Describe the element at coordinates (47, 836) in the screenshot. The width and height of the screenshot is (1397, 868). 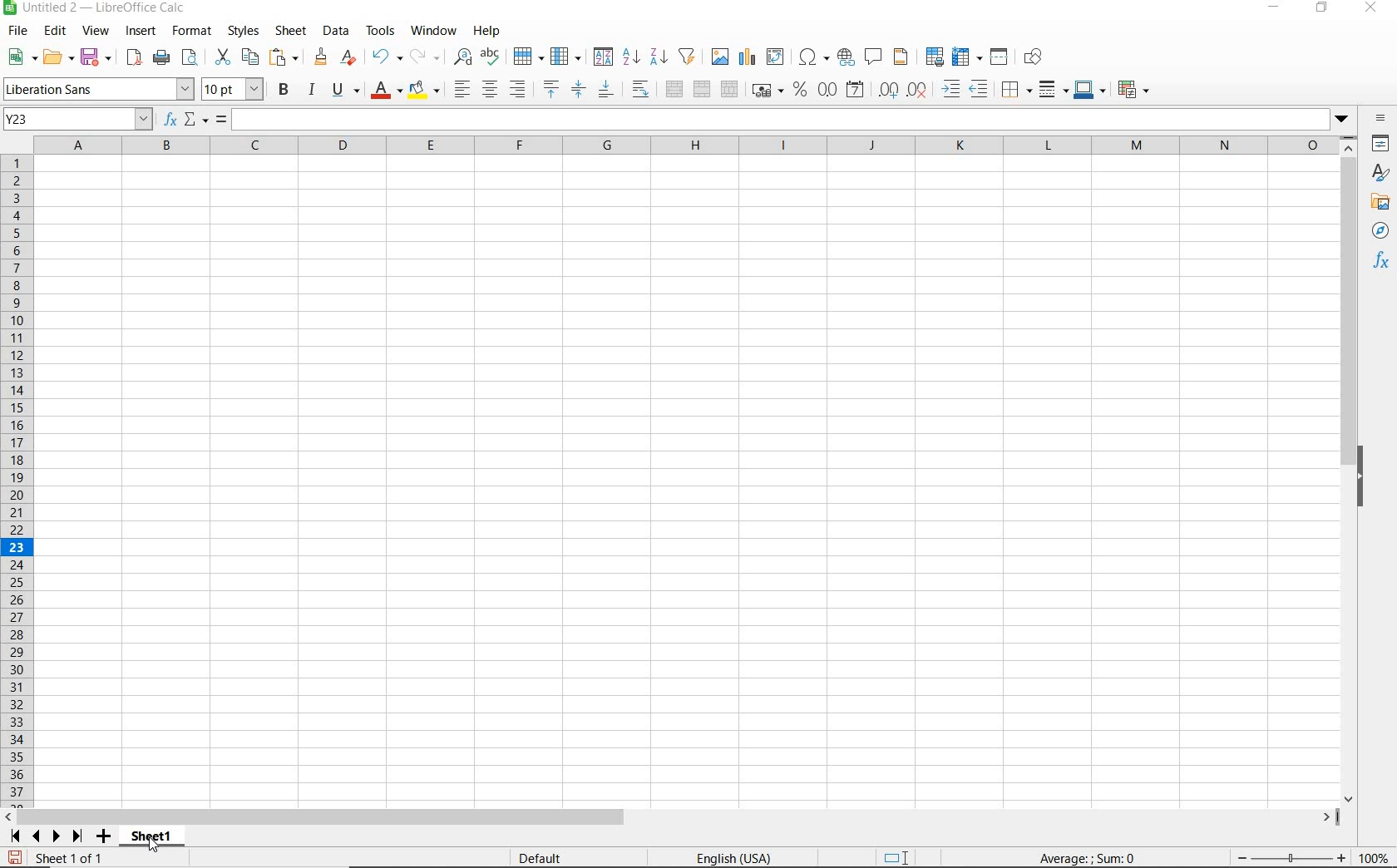
I see `SCROLL TO NEXT SHEET` at that location.